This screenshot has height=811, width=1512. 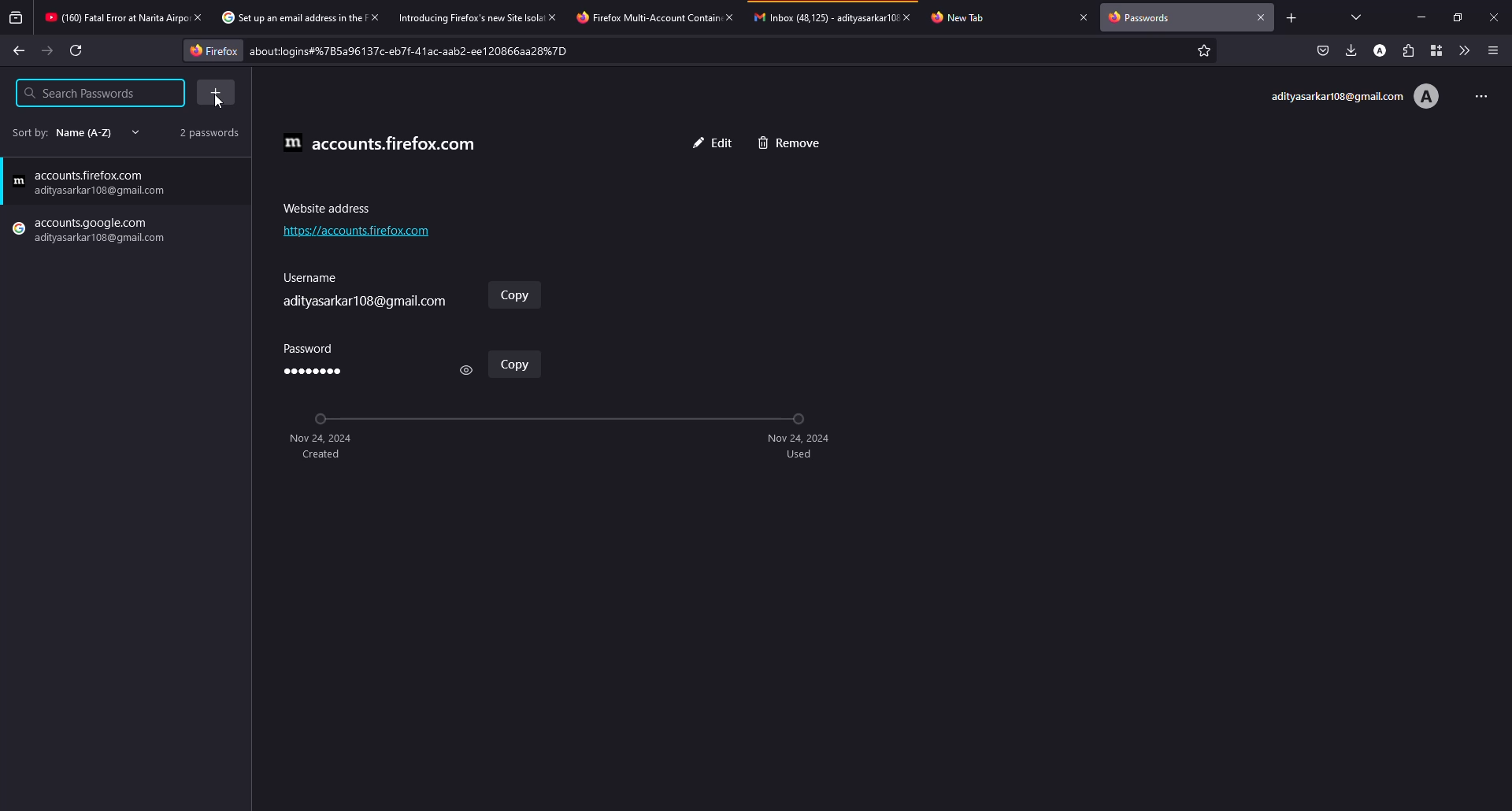 I want to click on account, so click(x=1362, y=98).